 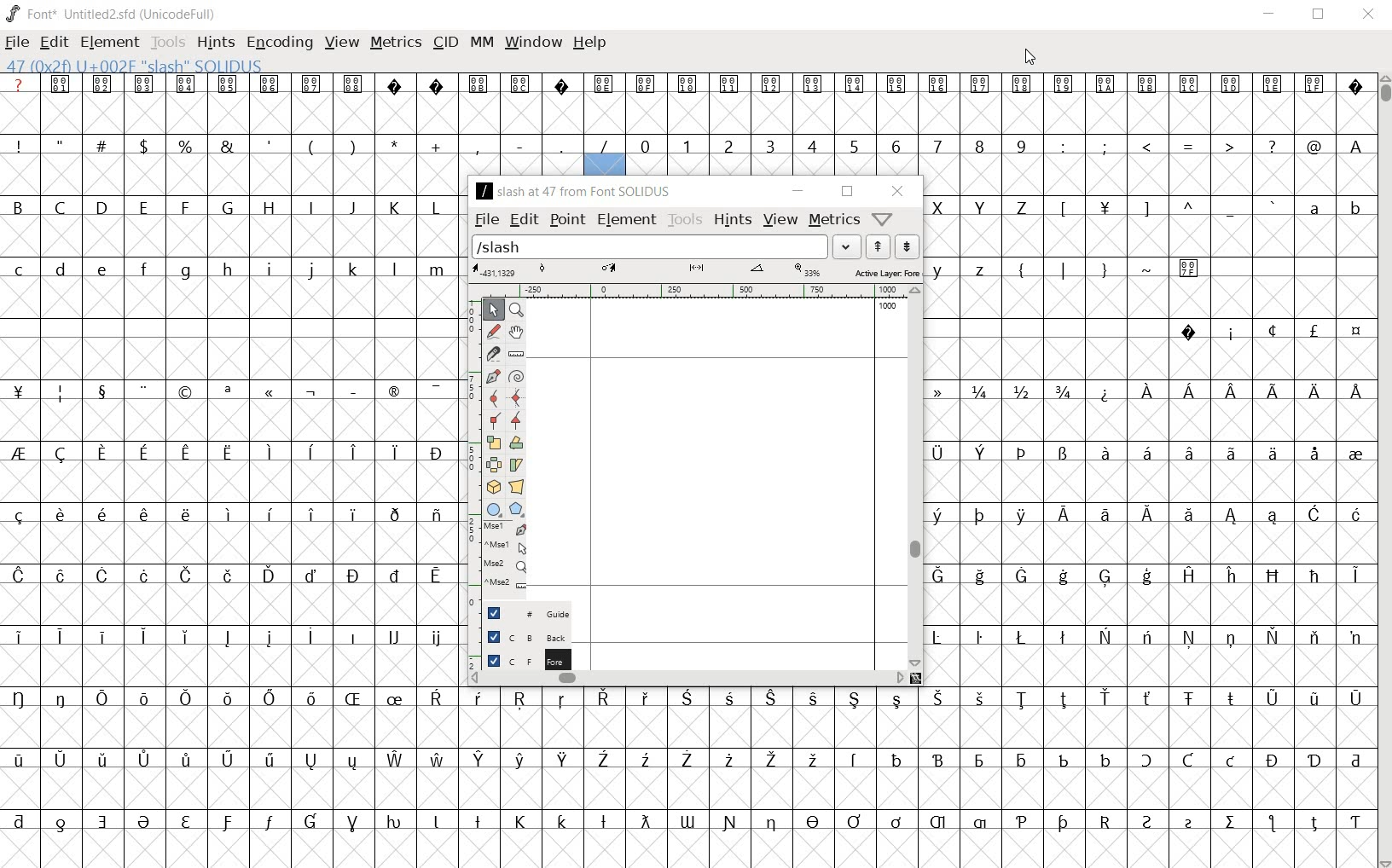 I want to click on empty cells, so click(x=687, y=789).